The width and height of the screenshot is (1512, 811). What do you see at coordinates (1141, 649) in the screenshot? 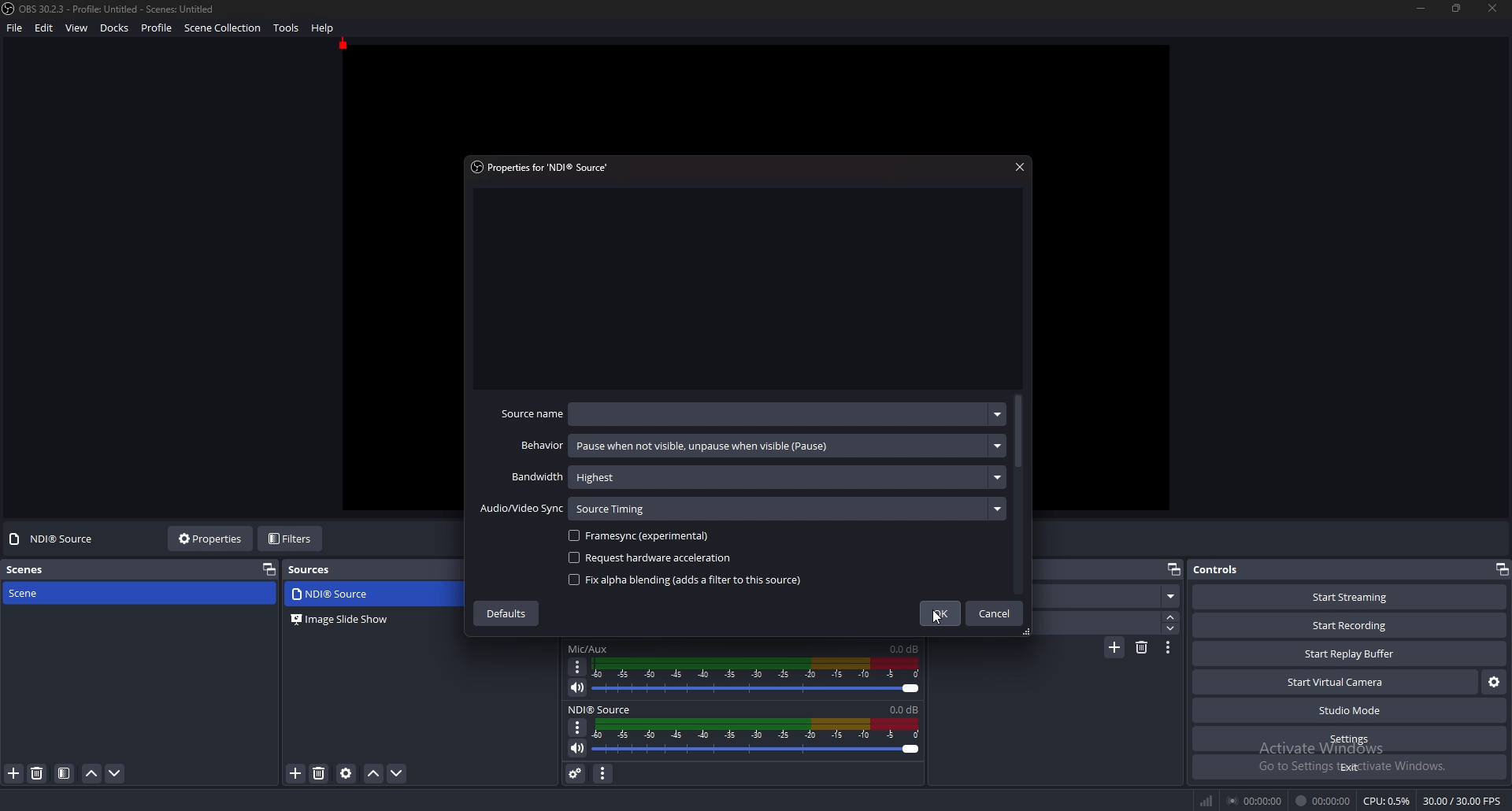
I see `remove transition` at bounding box center [1141, 649].